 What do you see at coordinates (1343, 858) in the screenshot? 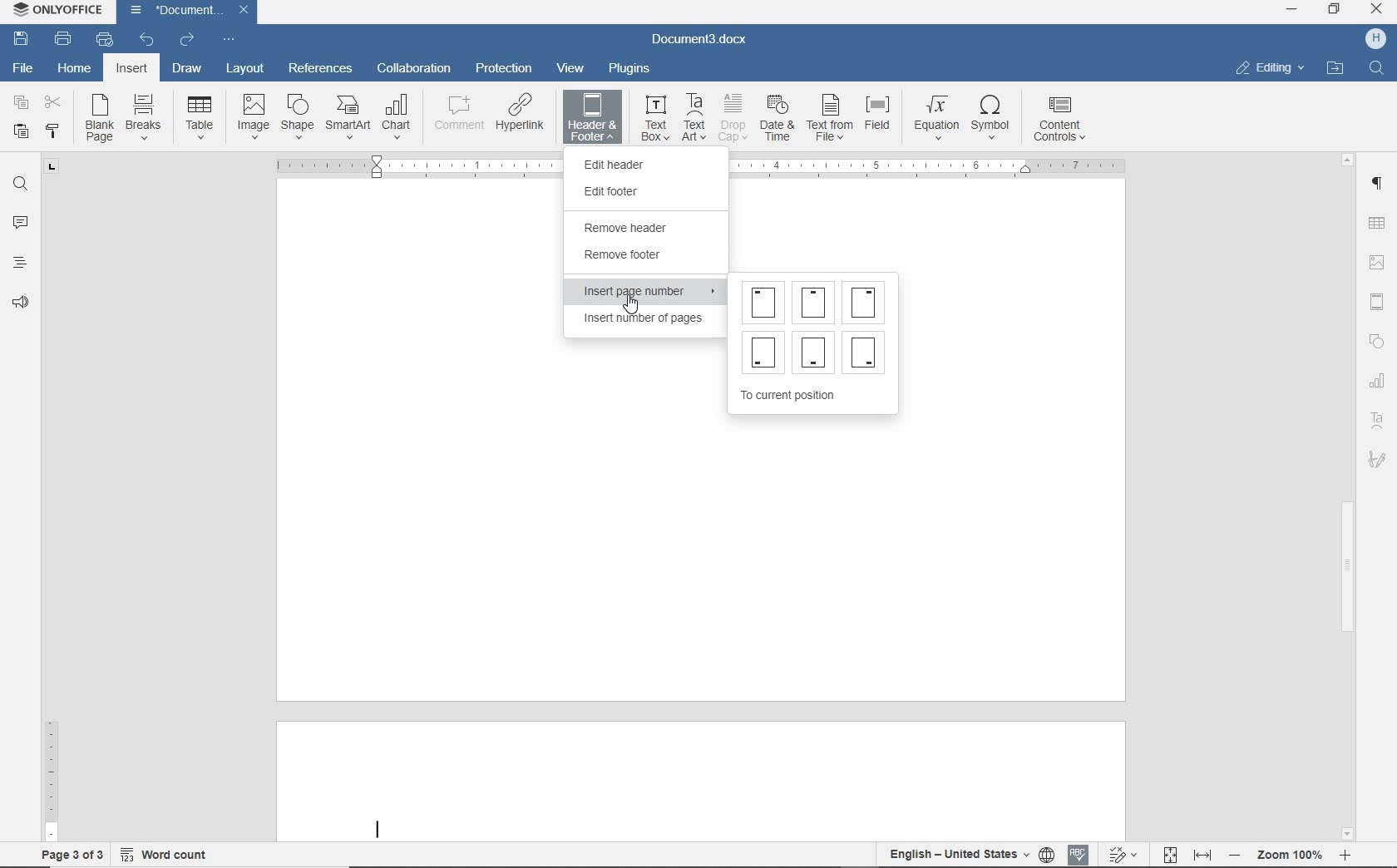
I see `Zoom In` at bounding box center [1343, 858].